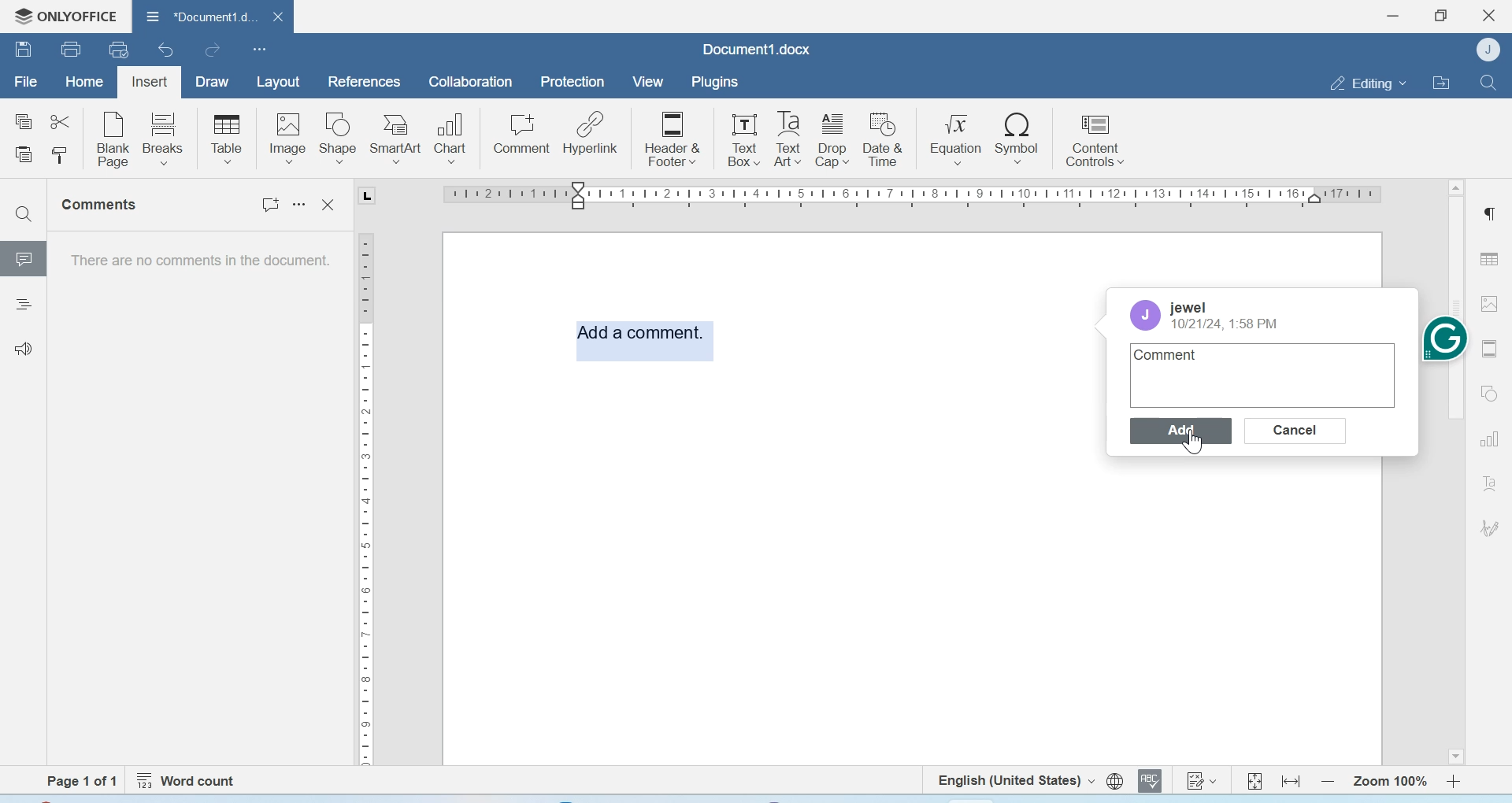 The width and height of the screenshot is (1512, 803). I want to click on Hyperlink, so click(590, 133).